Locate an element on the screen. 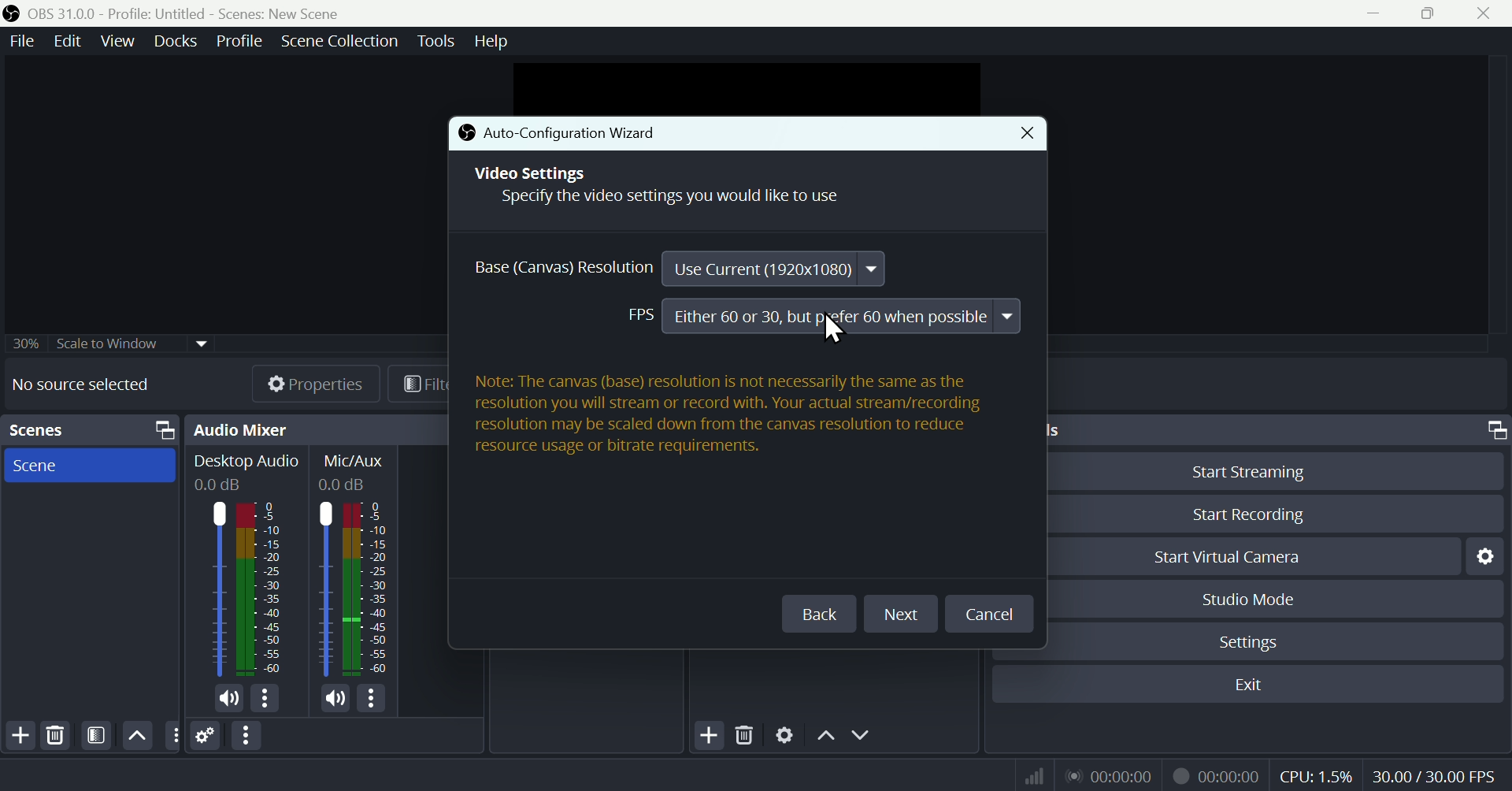  Settings is located at coordinates (1270, 640).